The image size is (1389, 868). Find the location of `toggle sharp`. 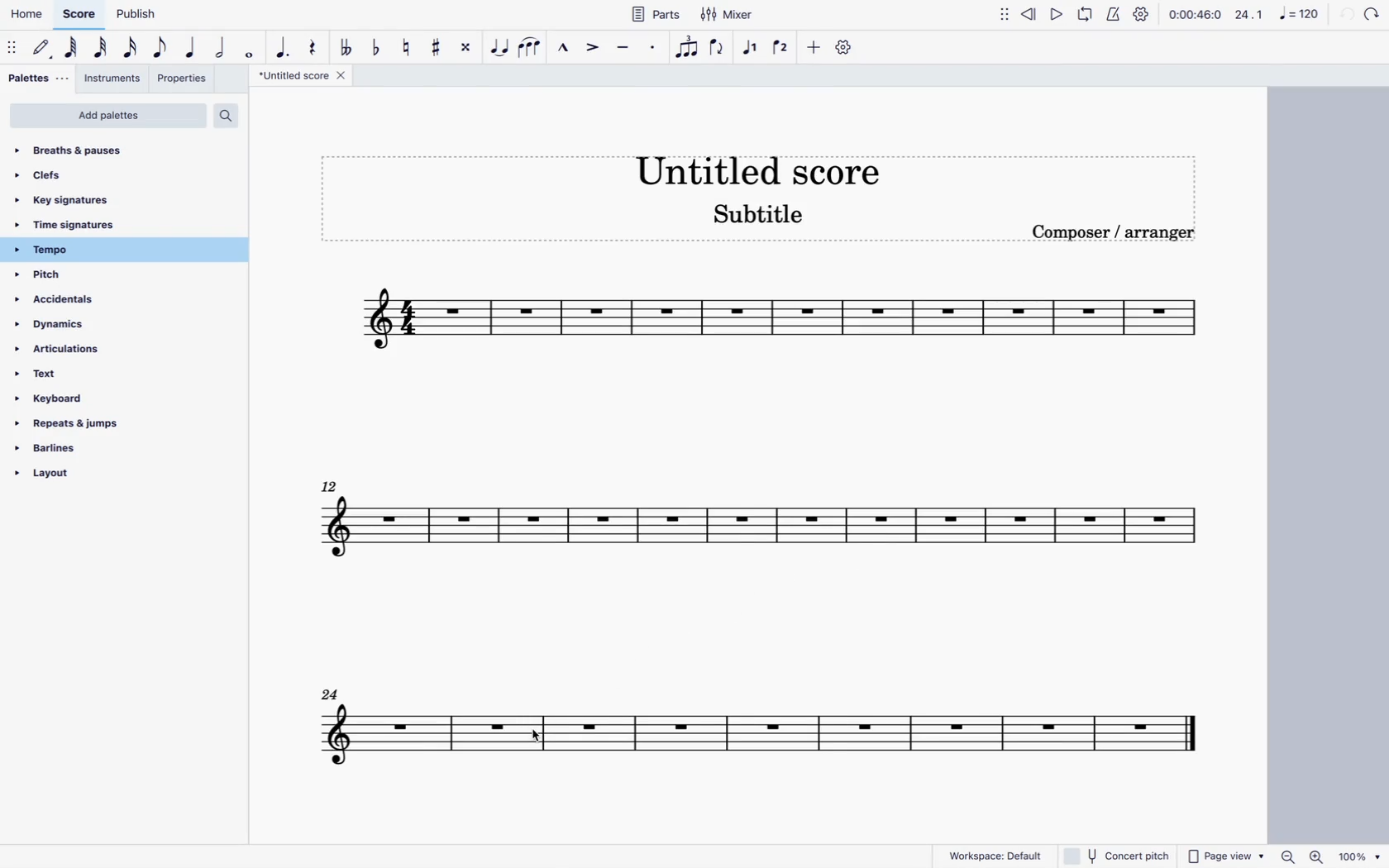

toggle sharp is located at coordinates (437, 47).